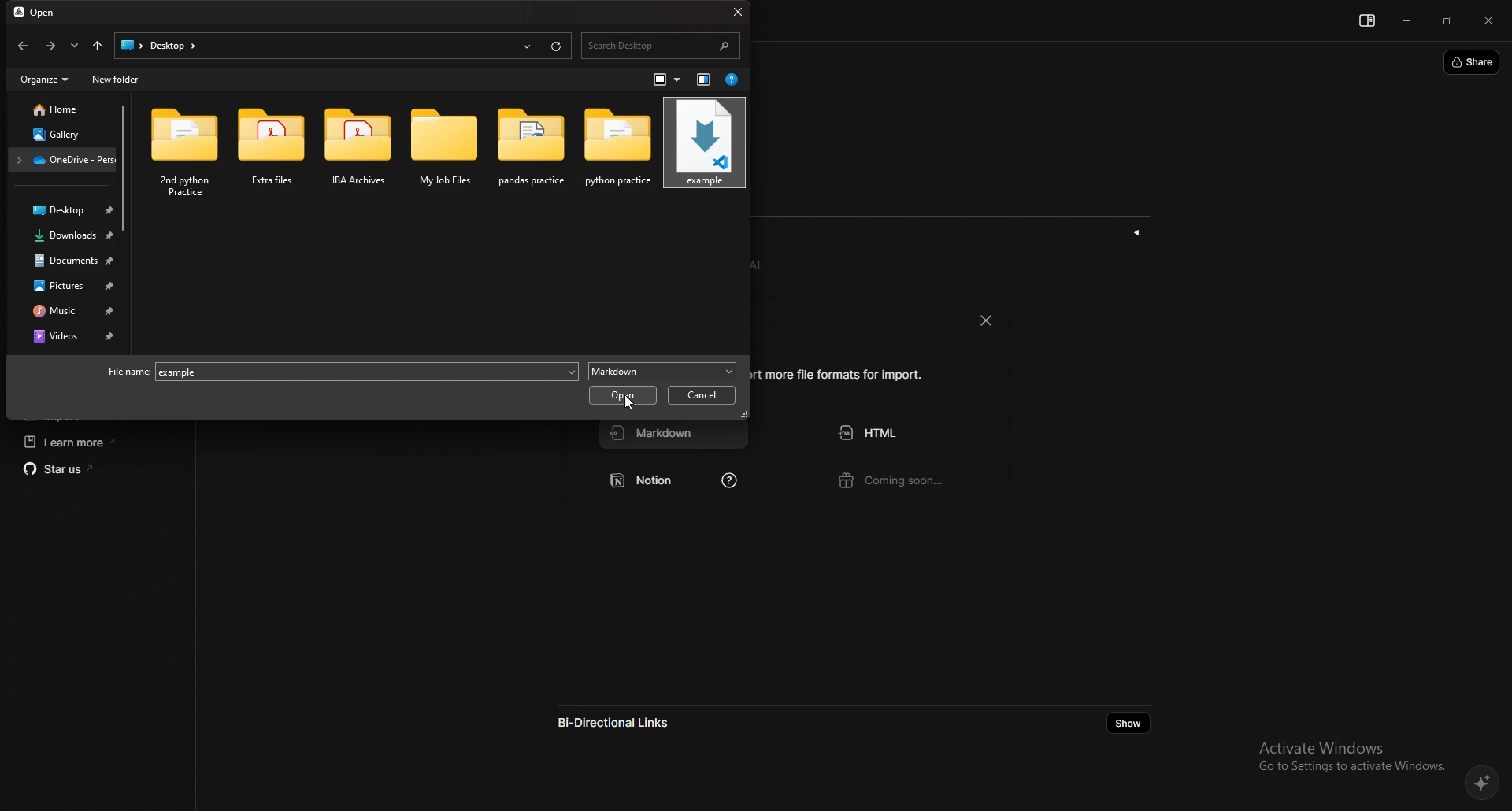  What do you see at coordinates (23, 46) in the screenshot?
I see `back` at bounding box center [23, 46].